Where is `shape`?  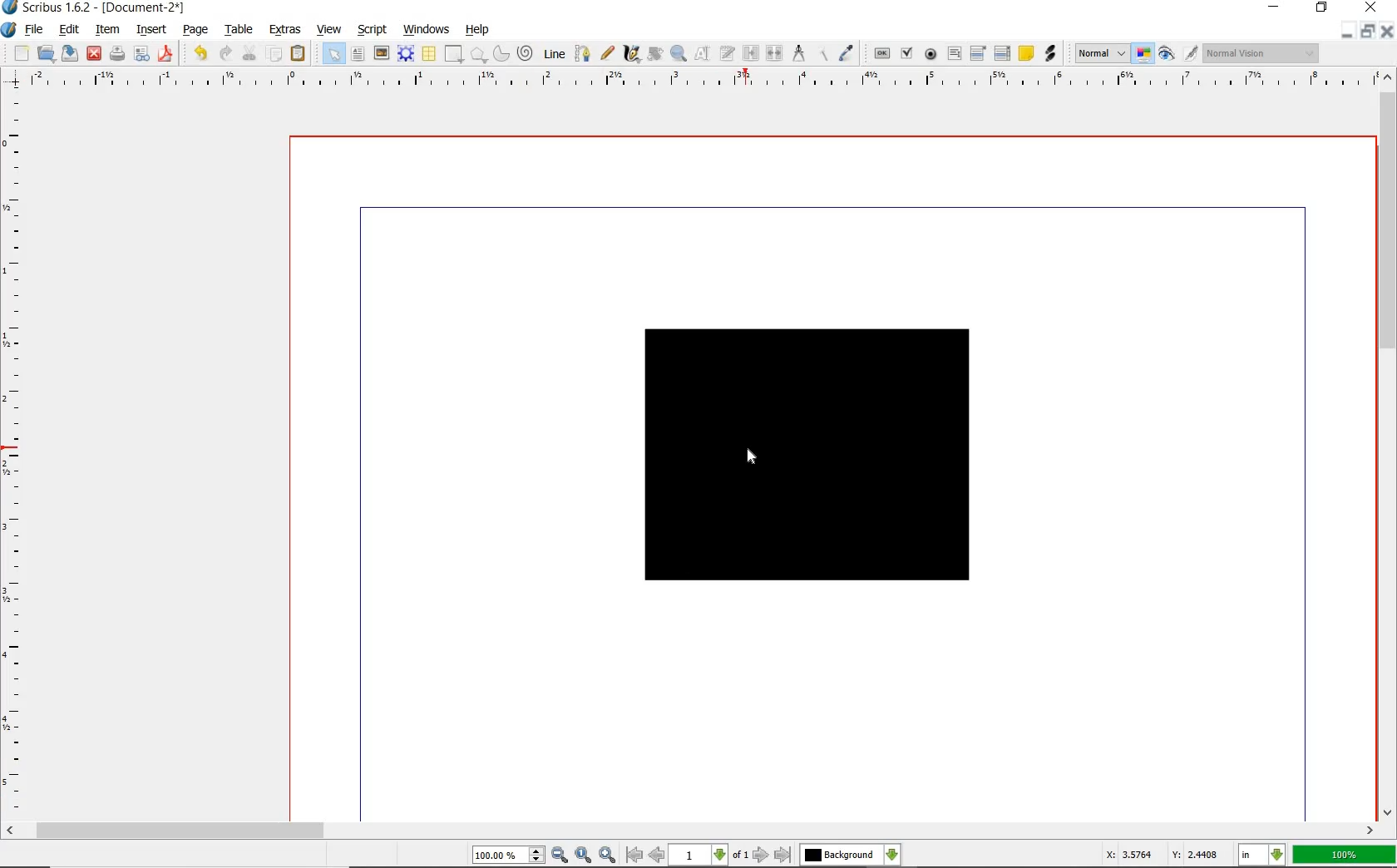
shape is located at coordinates (454, 53).